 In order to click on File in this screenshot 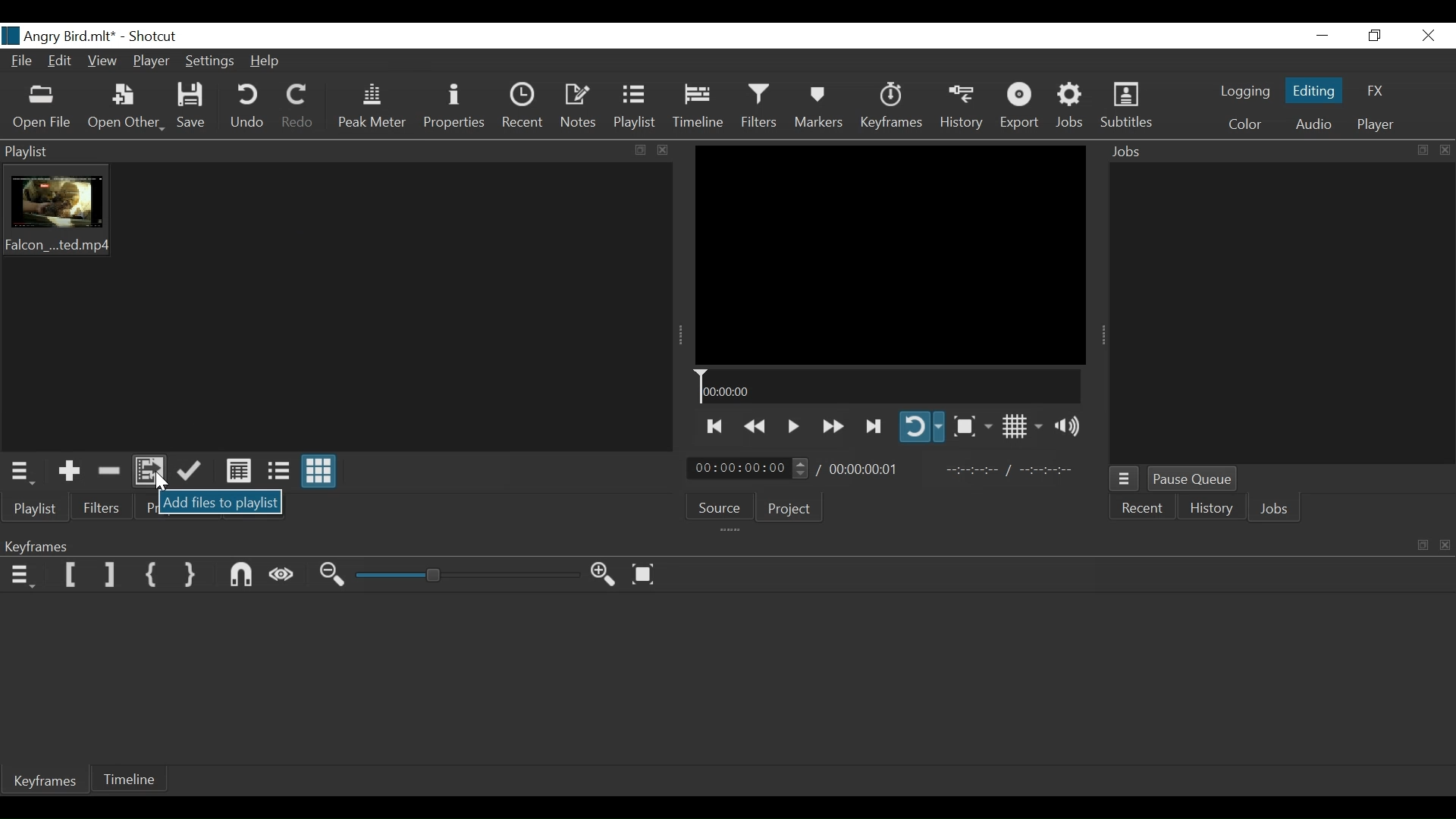, I will do `click(21, 62)`.